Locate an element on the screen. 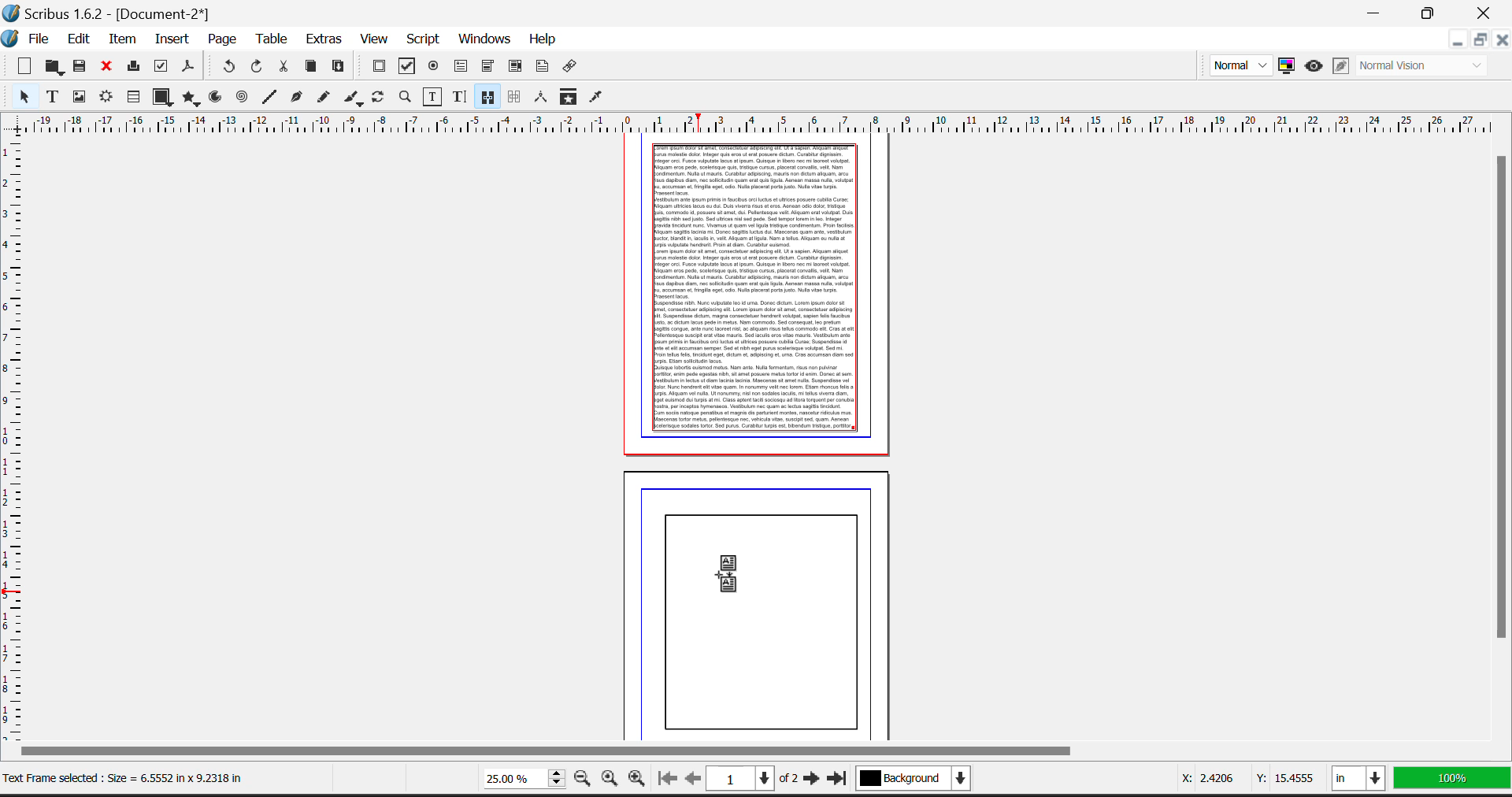 The height and width of the screenshot is (797, 1512). Measurement Unit is located at coordinates (1361, 781).